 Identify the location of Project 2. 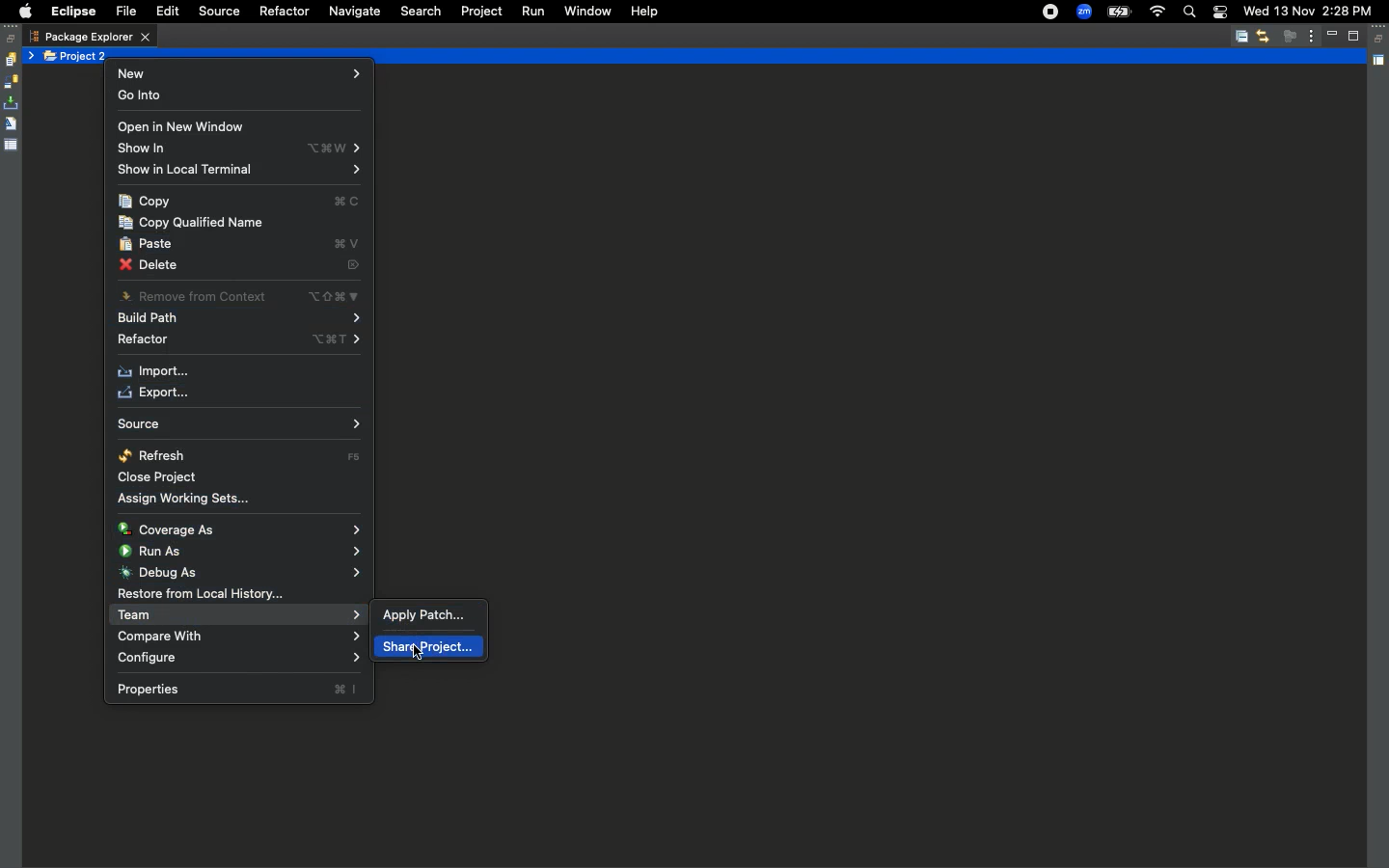
(77, 56).